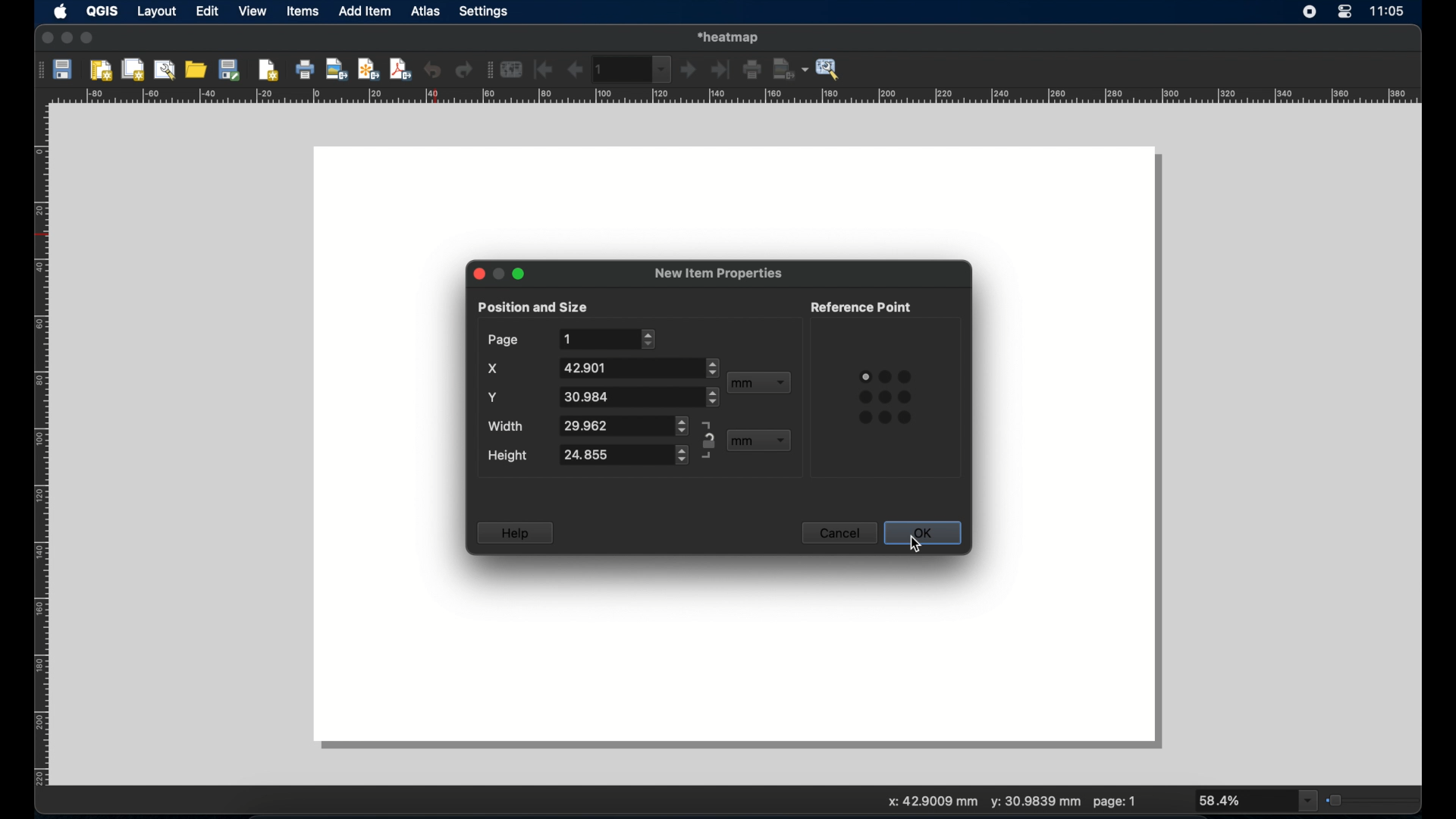 This screenshot has height=819, width=1456. What do you see at coordinates (510, 425) in the screenshot?
I see `width` at bounding box center [510, 425].